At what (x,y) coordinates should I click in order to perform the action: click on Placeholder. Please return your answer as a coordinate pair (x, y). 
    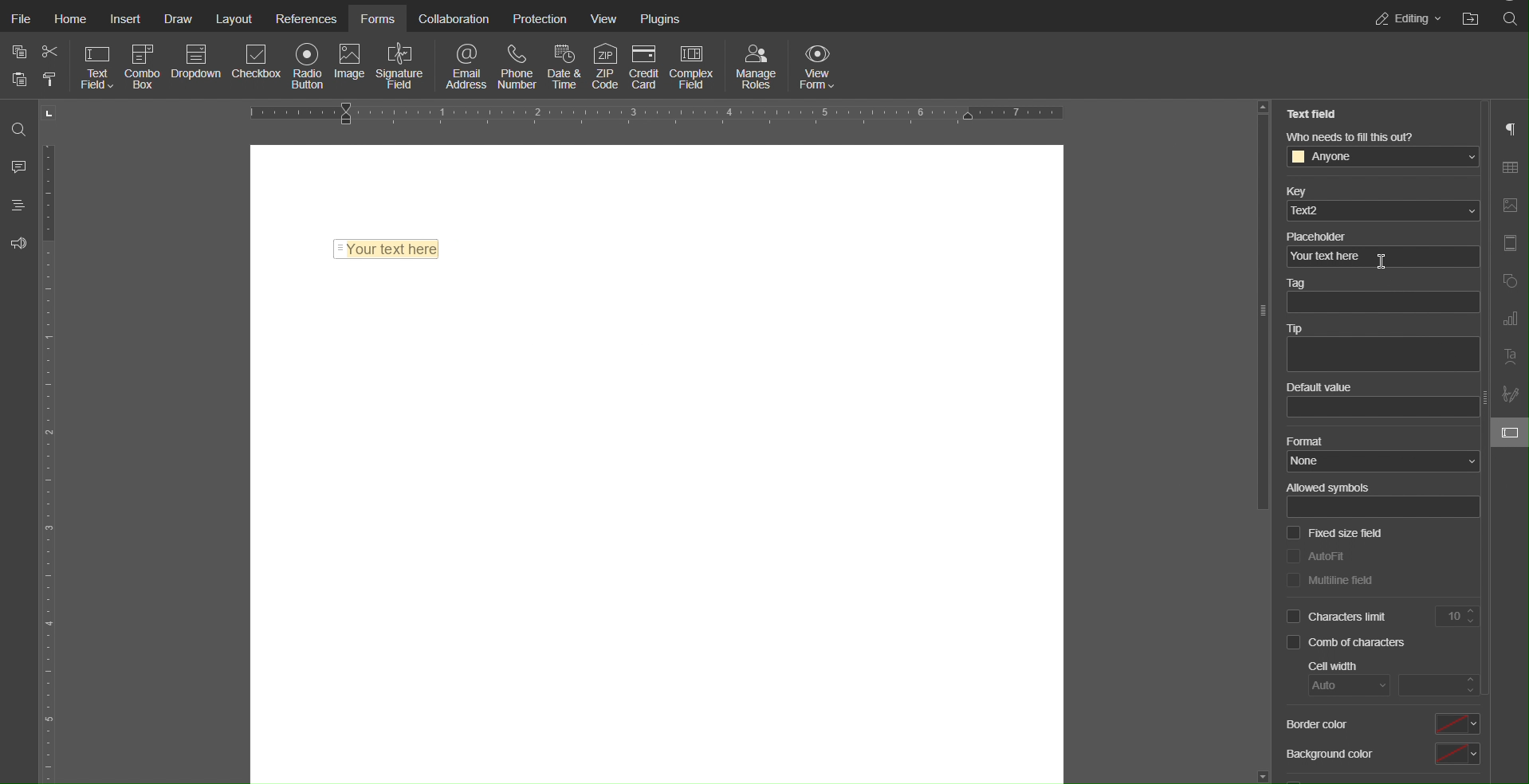
    Looking at the image, I should click on (1382, 249).